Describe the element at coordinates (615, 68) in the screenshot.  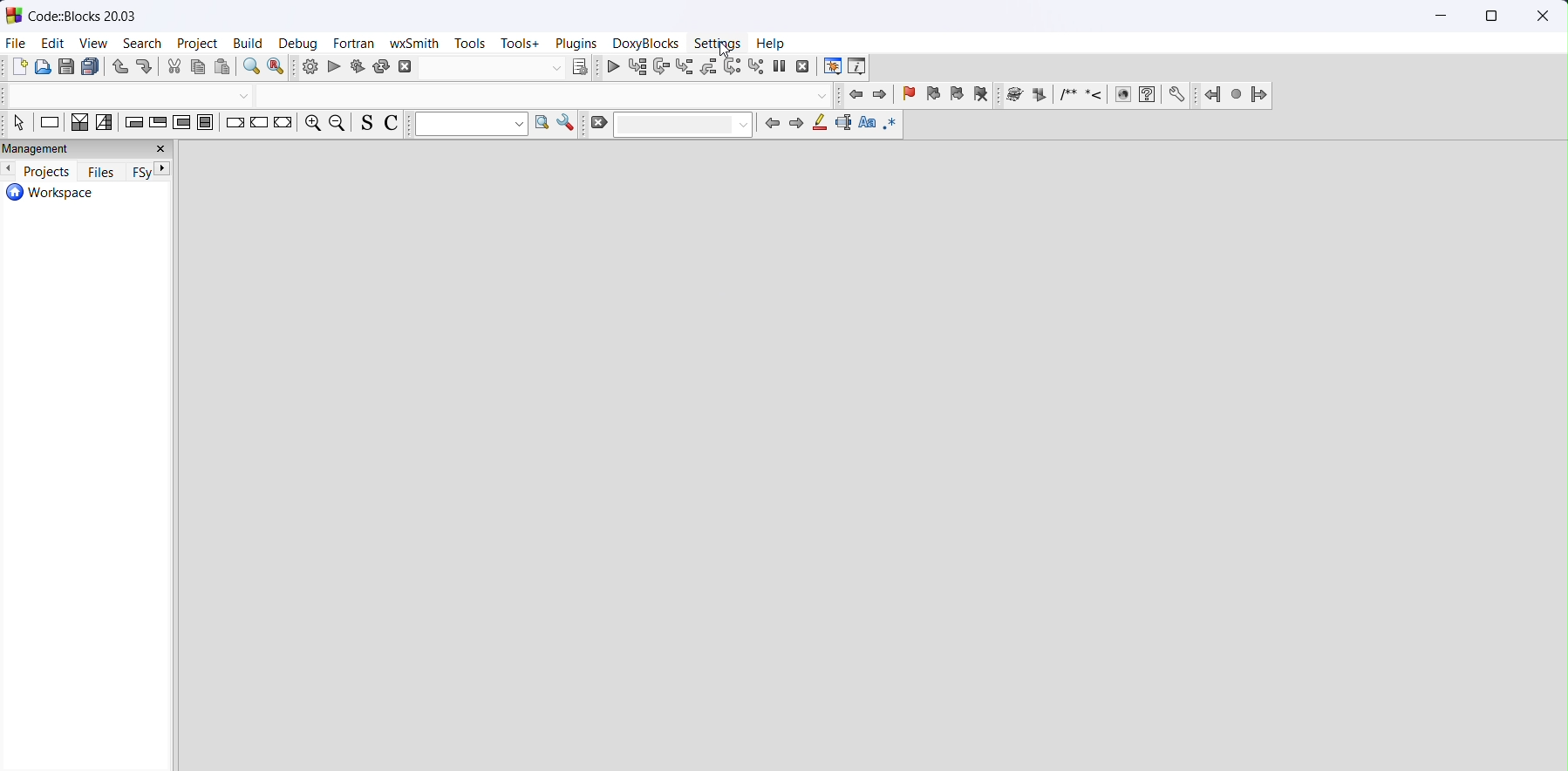
I see `debug/continue` at that location.